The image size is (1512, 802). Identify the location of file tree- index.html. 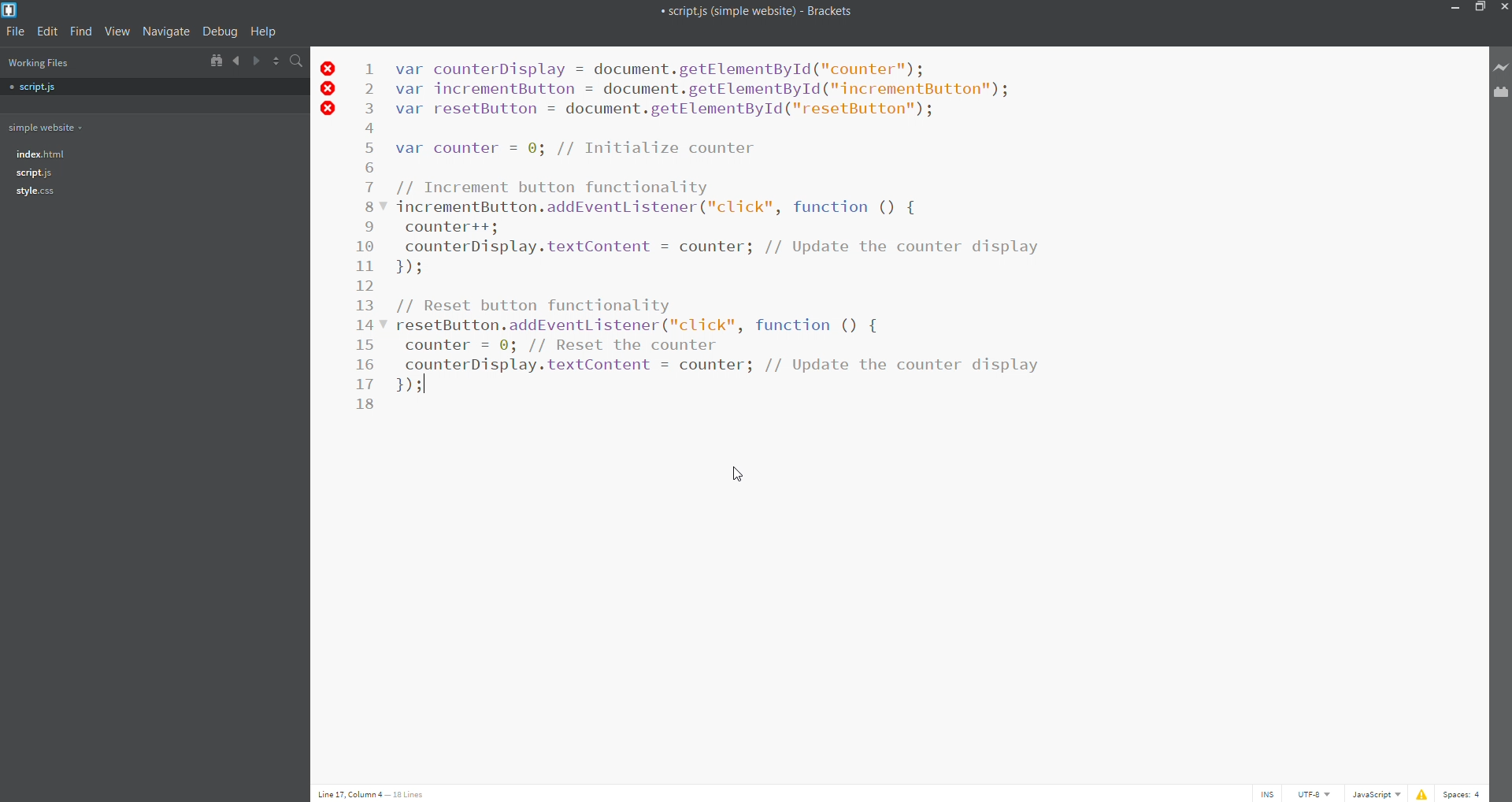
(41, 153).